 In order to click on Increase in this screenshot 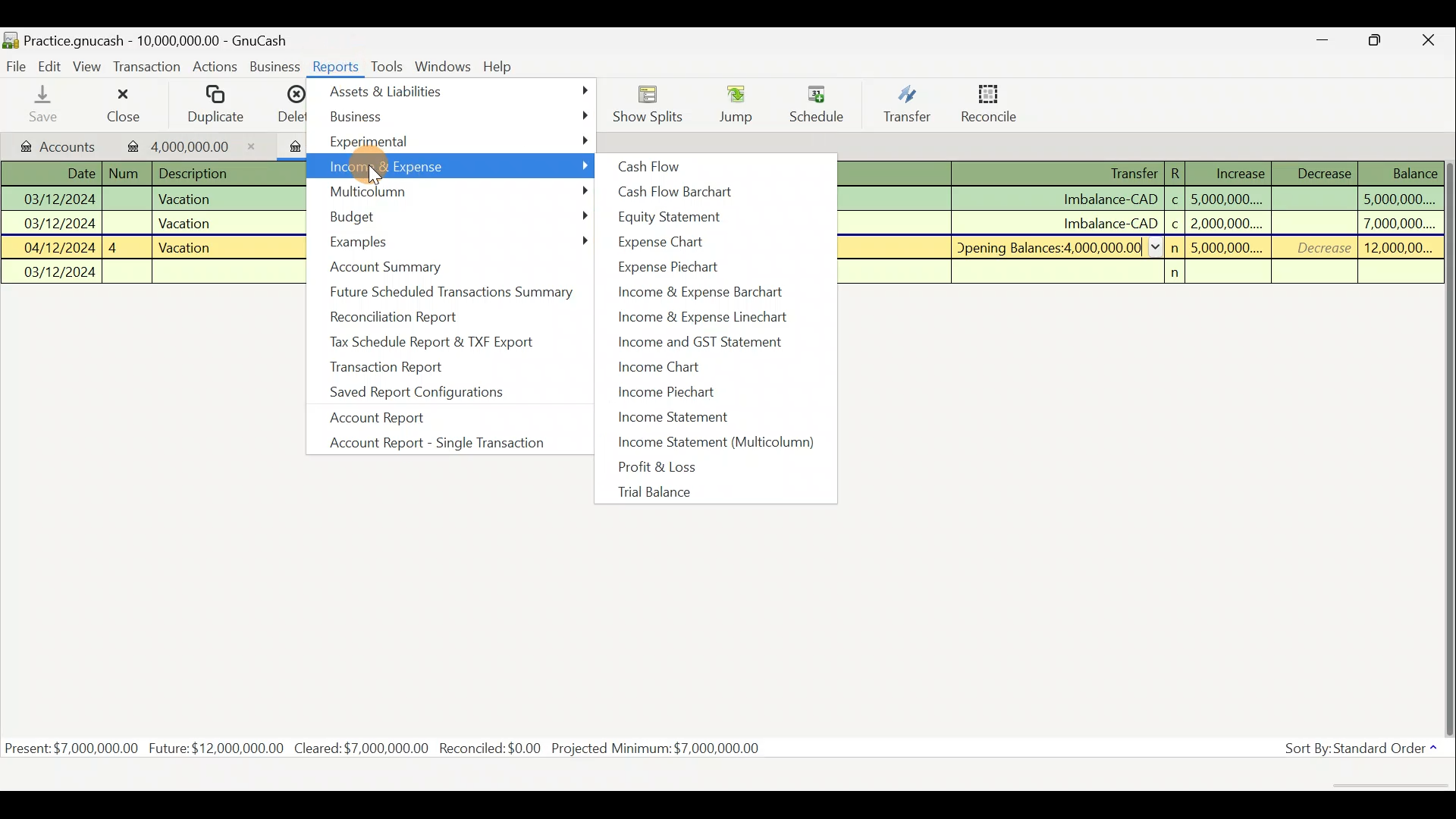, I will do `click(1241, 174)`.